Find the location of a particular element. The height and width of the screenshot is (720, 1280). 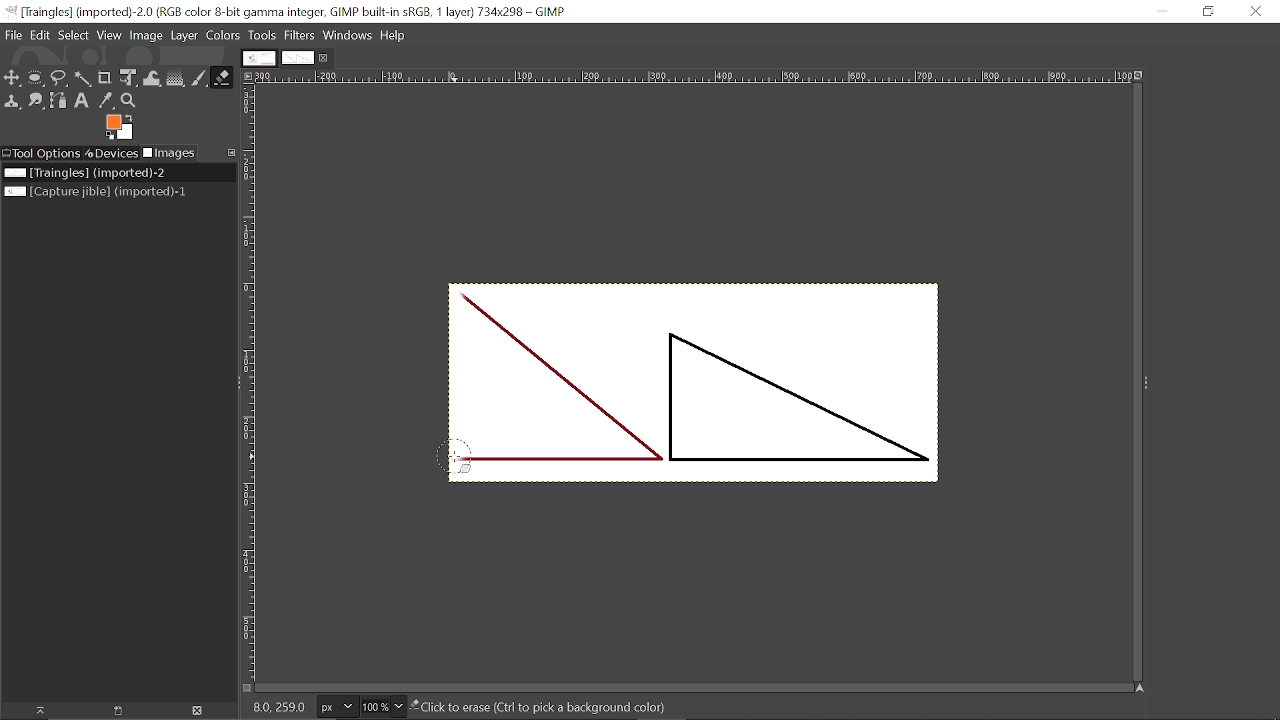

CLose is located at coordinates (1257, 13).